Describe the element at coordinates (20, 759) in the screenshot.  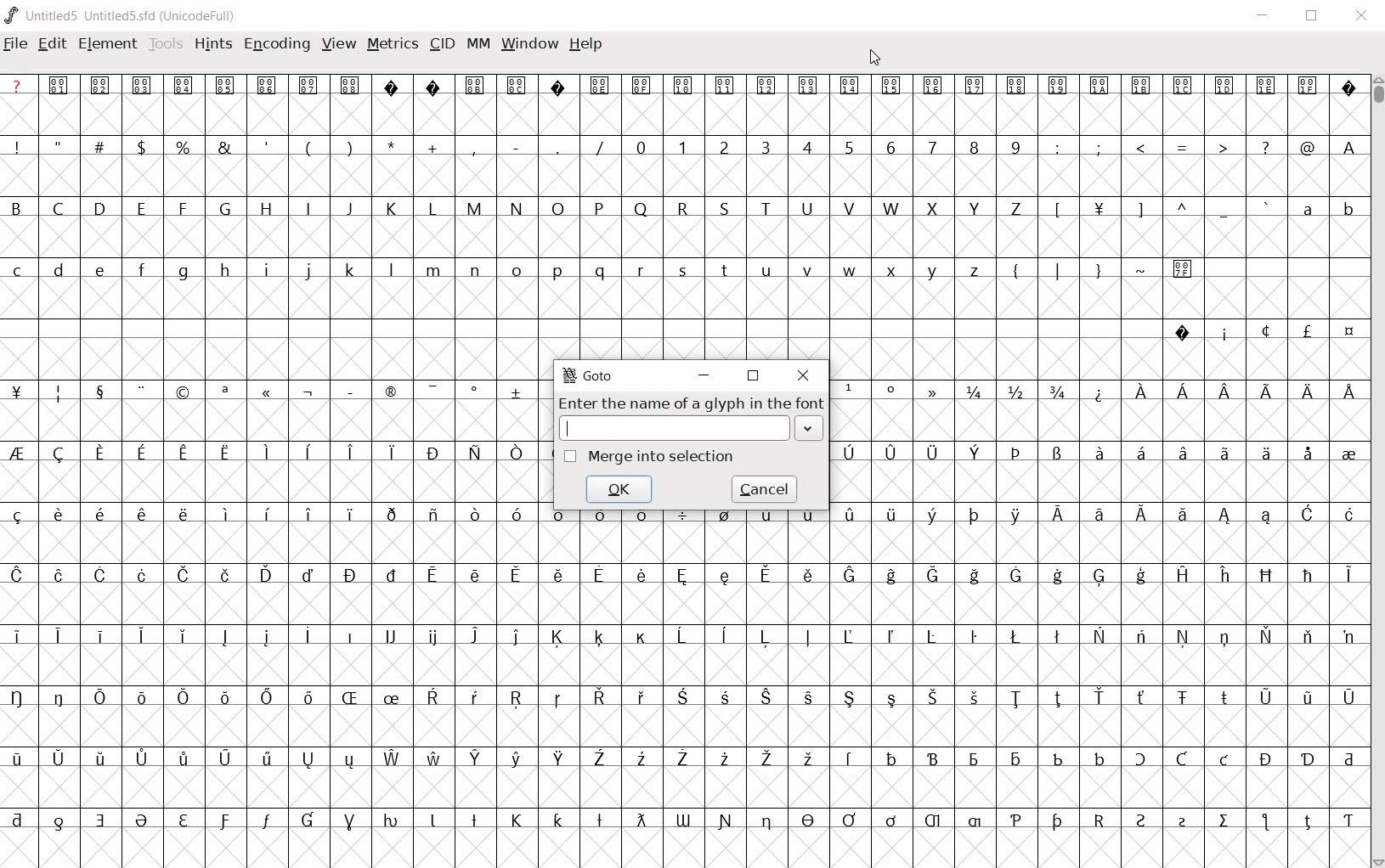
I see `Symbol` at that location.